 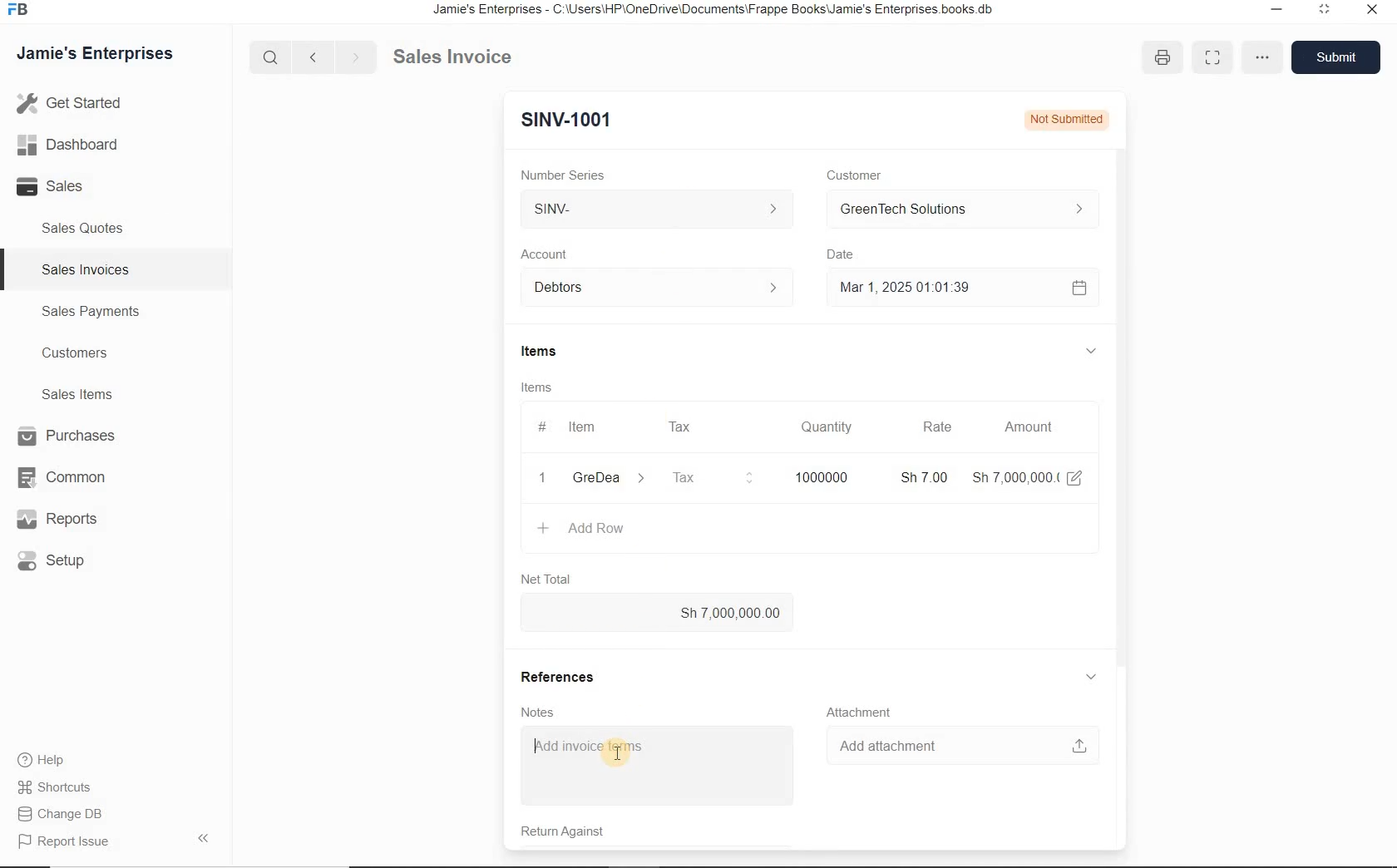 I want to click on Not Submitted, so click(x=1064, y=118).